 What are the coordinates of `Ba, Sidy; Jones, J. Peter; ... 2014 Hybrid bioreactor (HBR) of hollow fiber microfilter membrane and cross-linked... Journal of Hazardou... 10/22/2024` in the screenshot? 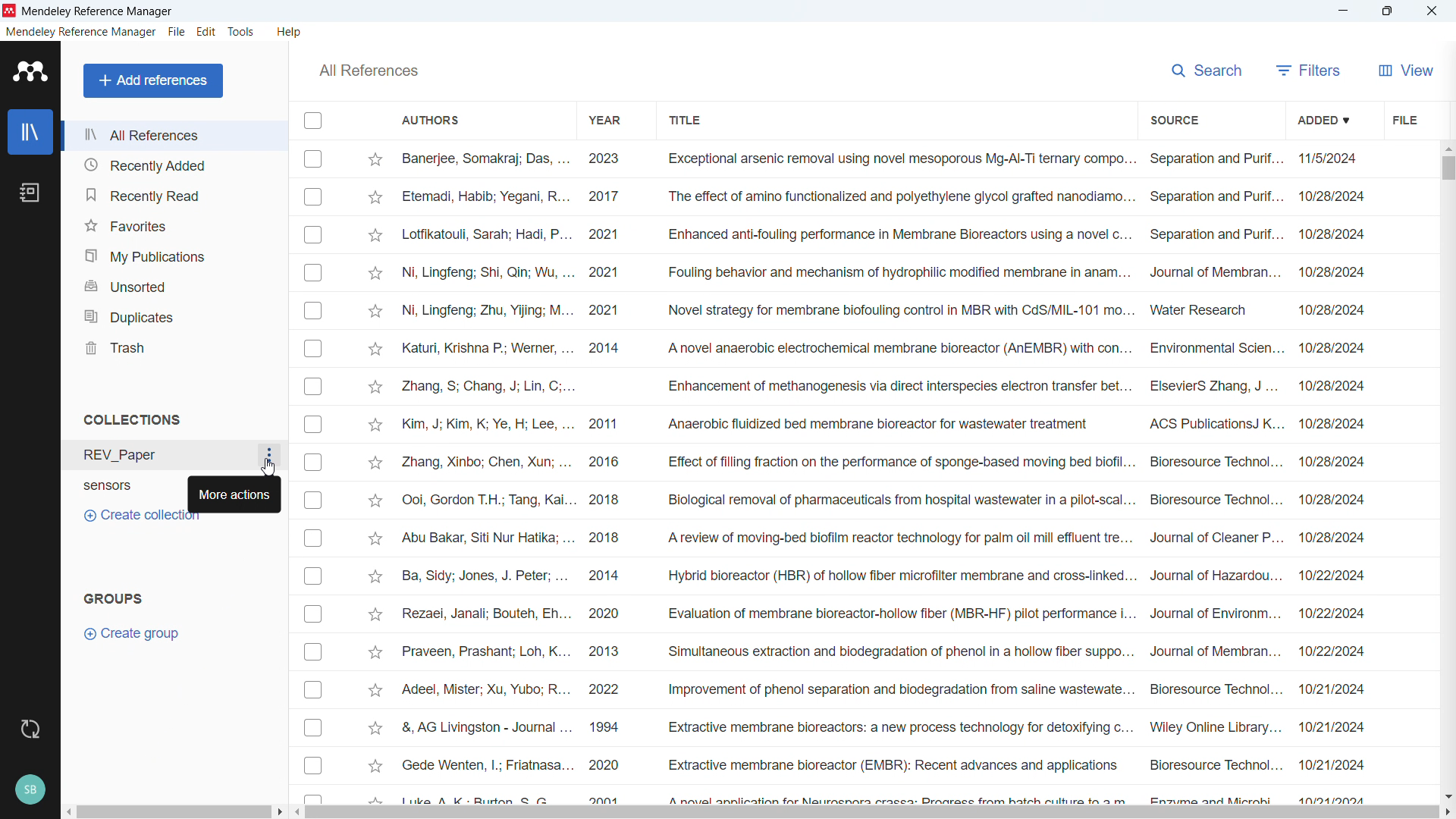 It's located at (883, 575).